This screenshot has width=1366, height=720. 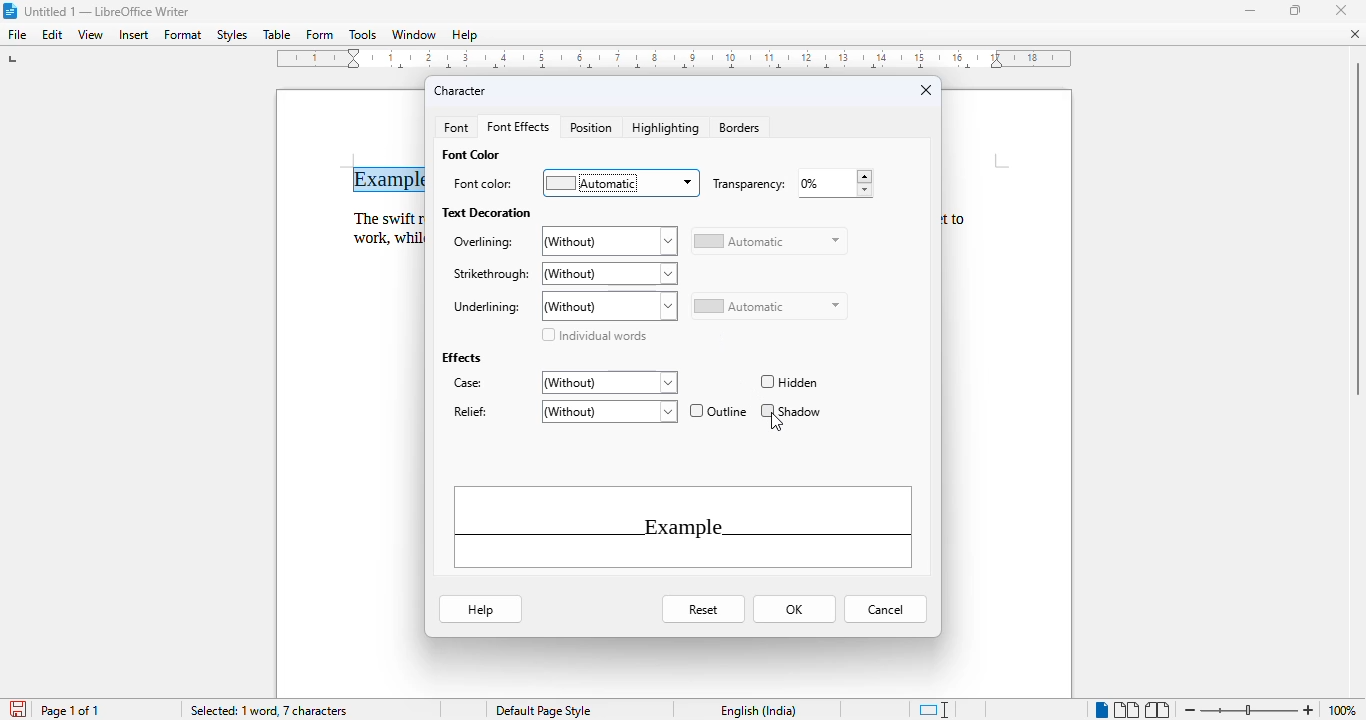 What do you see at coordinates (1251, 11) in the screenshot?
I see `minimize` at bounding box center [1251, 11].